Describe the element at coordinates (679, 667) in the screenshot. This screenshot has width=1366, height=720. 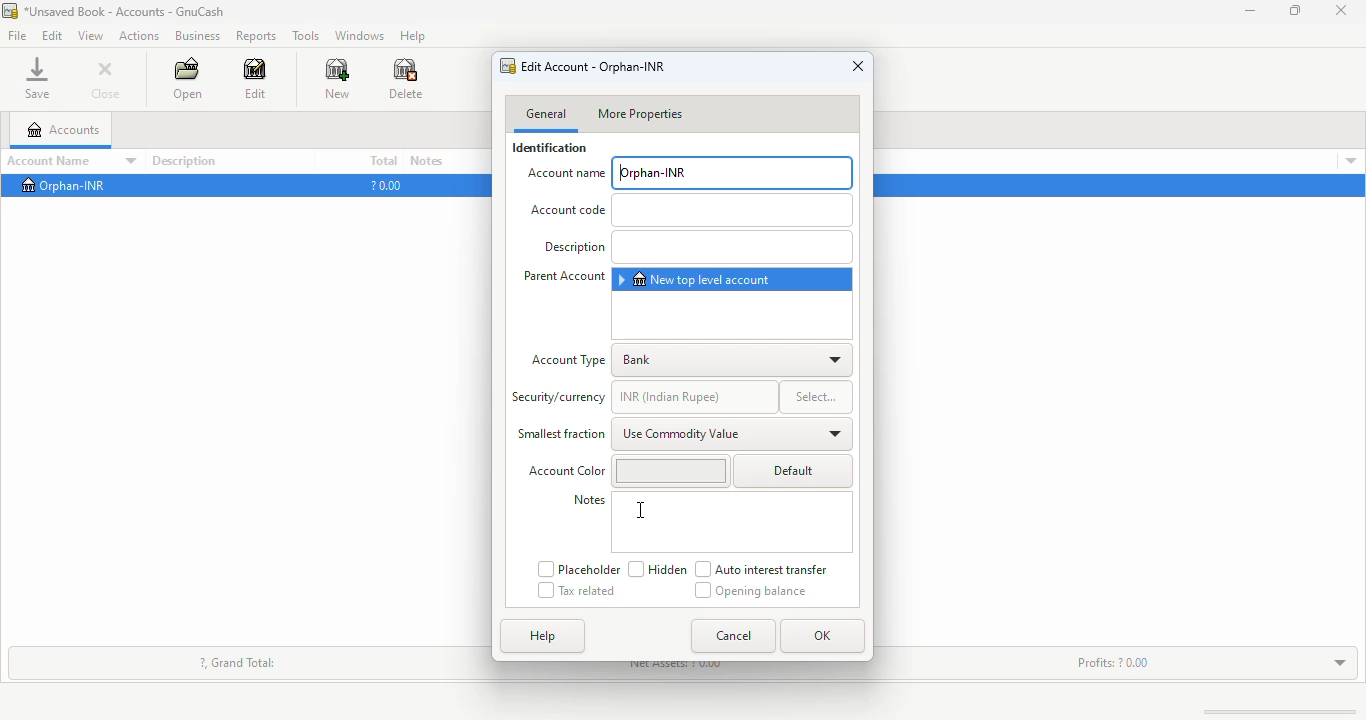
I see `net assets: ? 0.00` at that location.